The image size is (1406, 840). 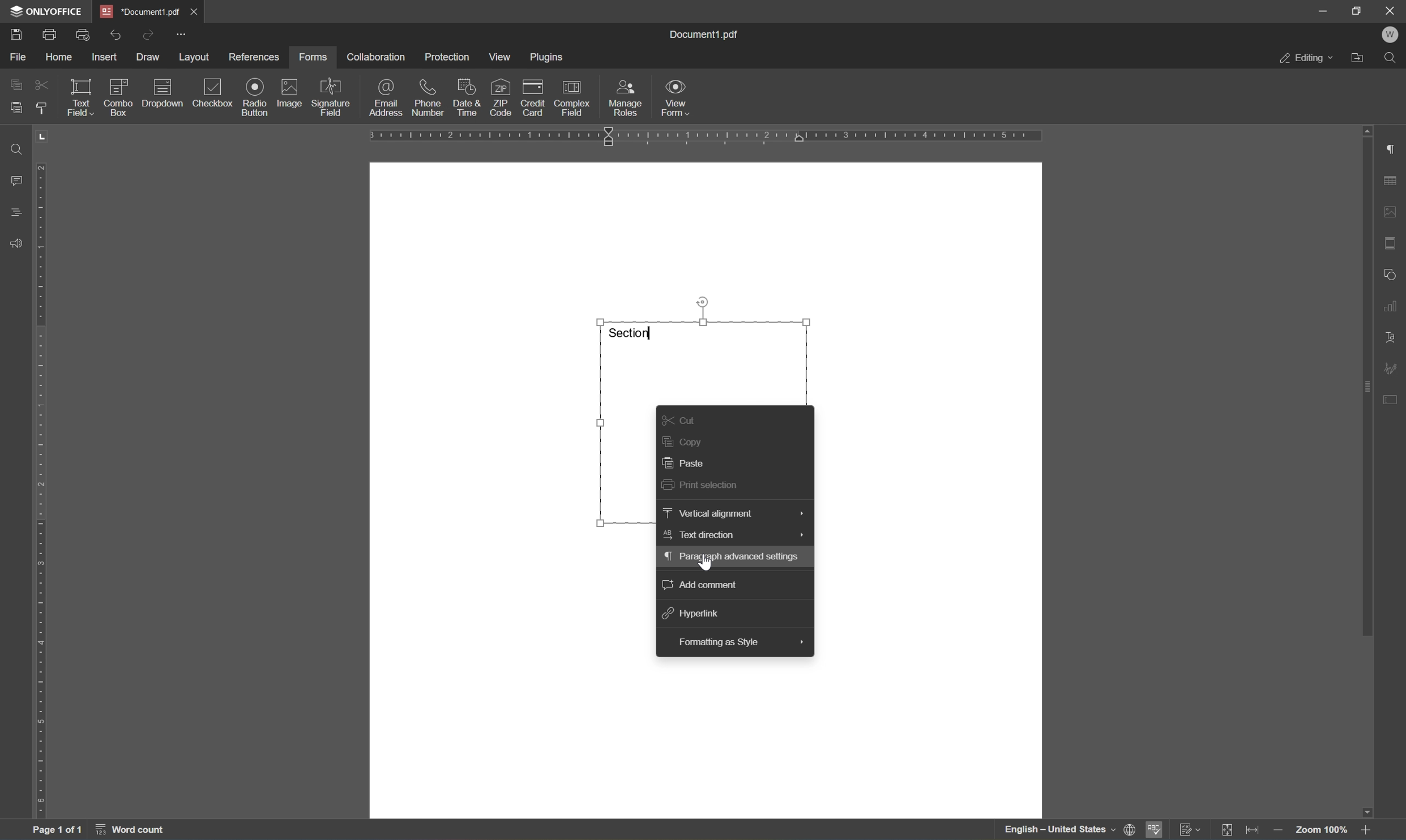 I want to click on forms, so click(x=317, y=56).